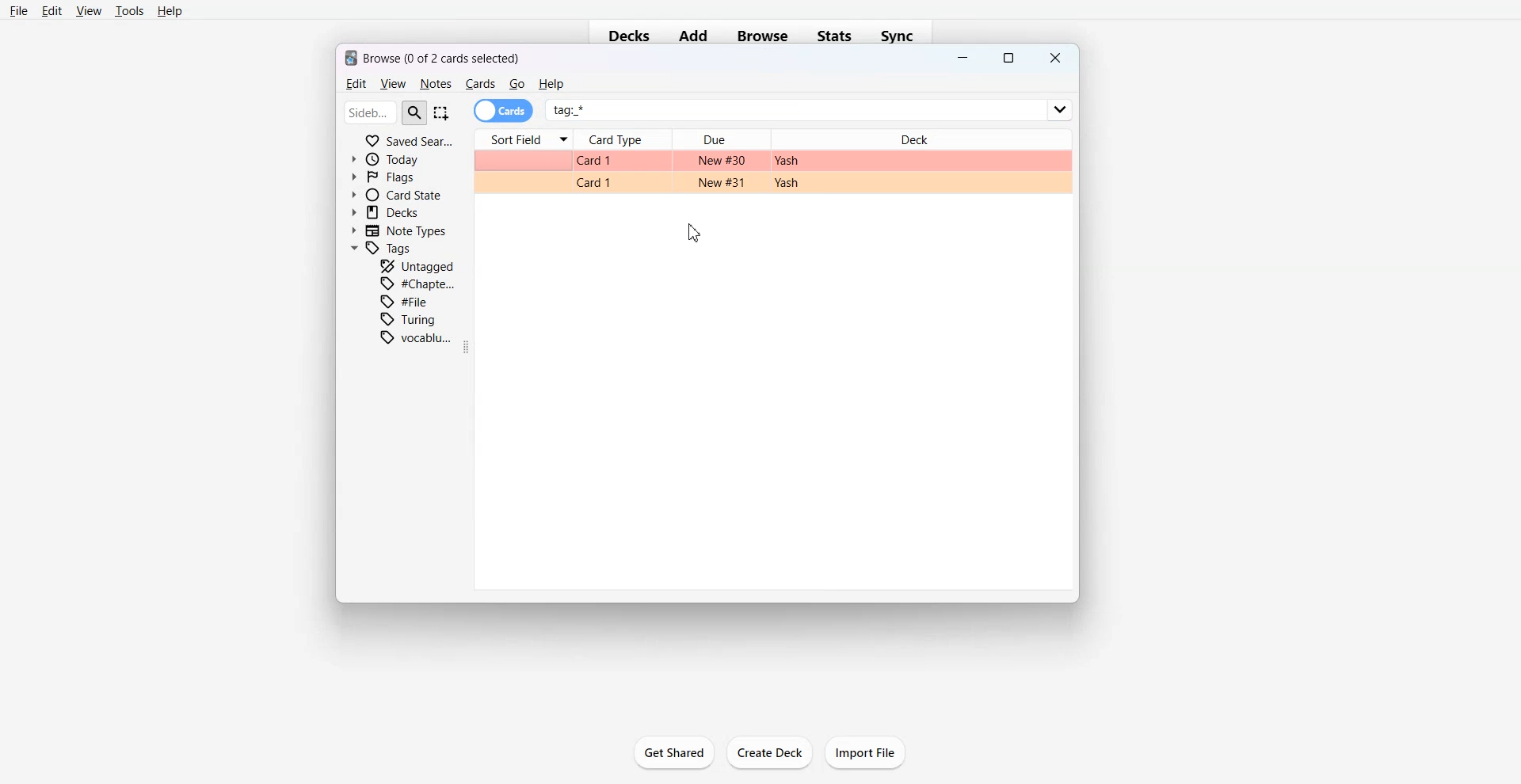  What do you see at coordinates (693, 36) in the screenshot?
I see `Add` at bounding box center [693, 36].